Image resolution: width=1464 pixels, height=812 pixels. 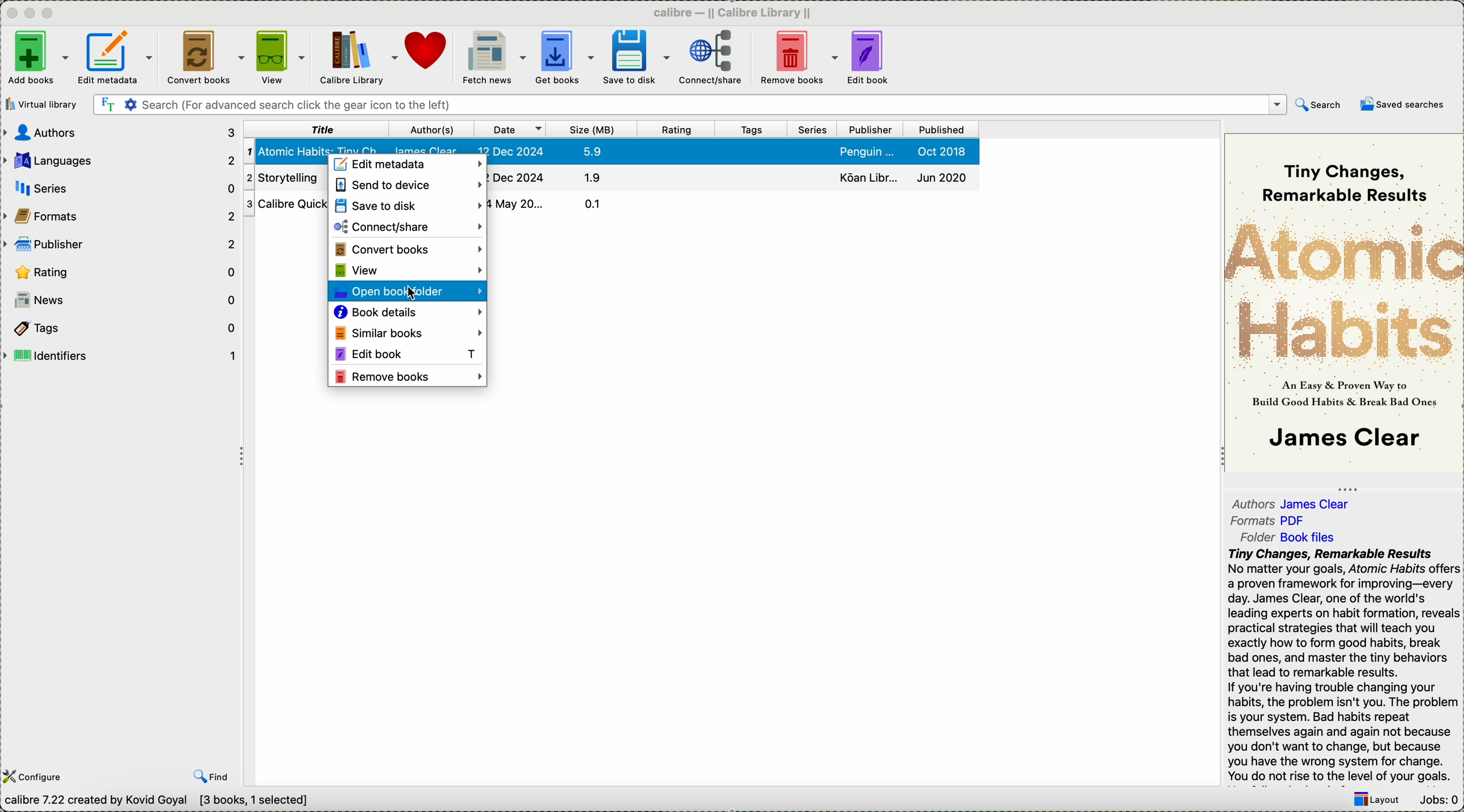 What do you see at coordinates (121, 132) in the screenshot?
I see `authors` at bounding box center [121, 132].